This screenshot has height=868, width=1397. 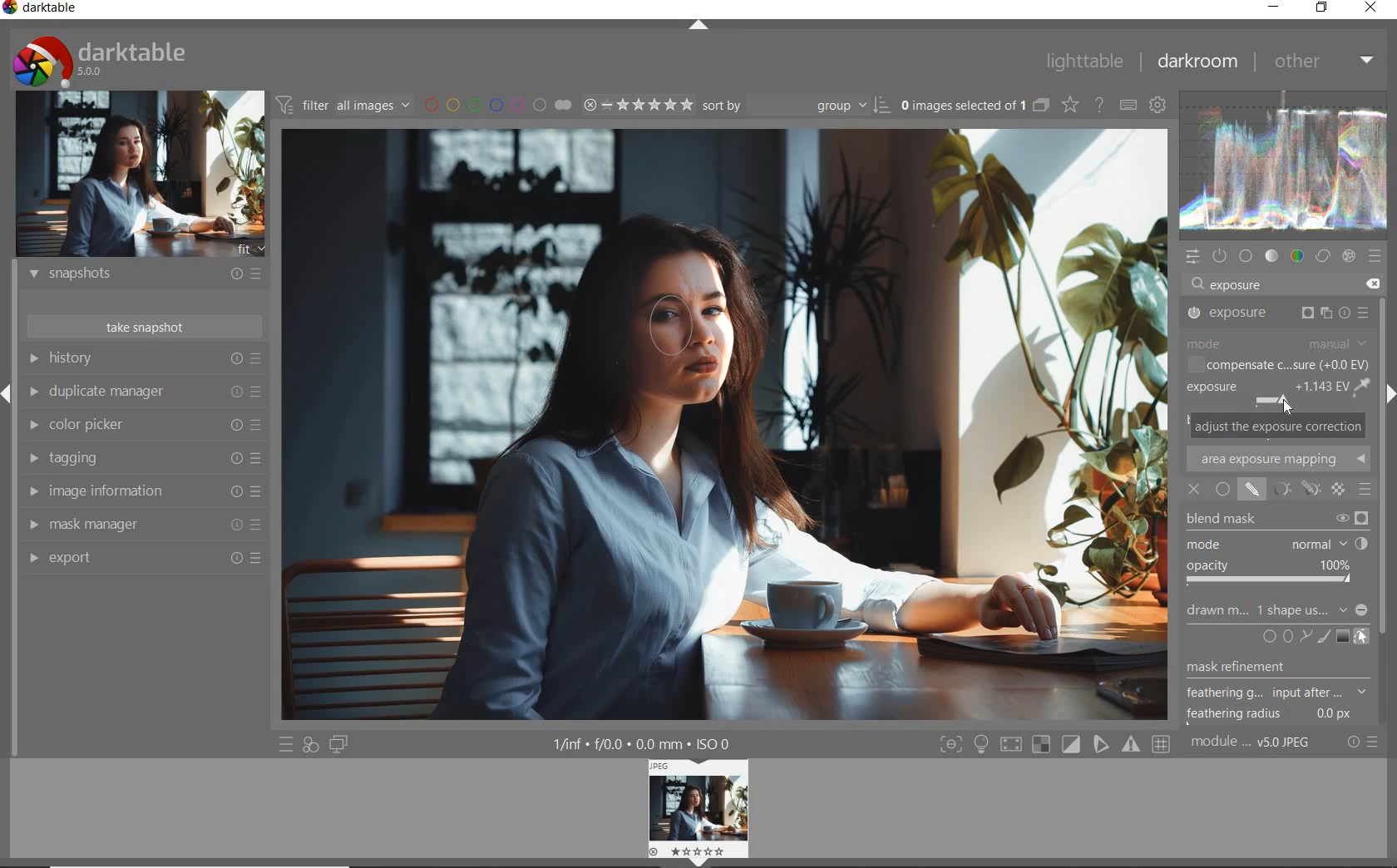 I want to click on take snapshot, so click(x=146, y=327).